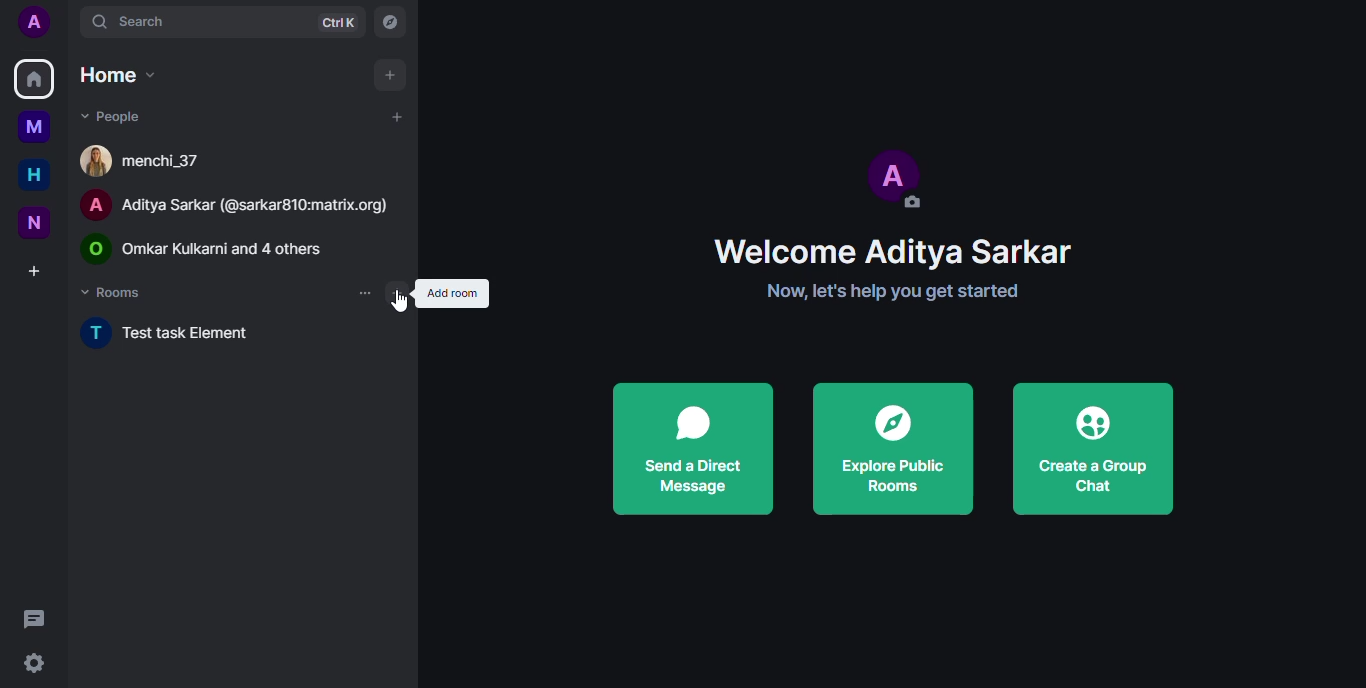 This screenshot has height=688, width=1366. What do you see at coordinates (183, 336) in the screenshot?
I see `test task element` at bounding box center [183, 336].